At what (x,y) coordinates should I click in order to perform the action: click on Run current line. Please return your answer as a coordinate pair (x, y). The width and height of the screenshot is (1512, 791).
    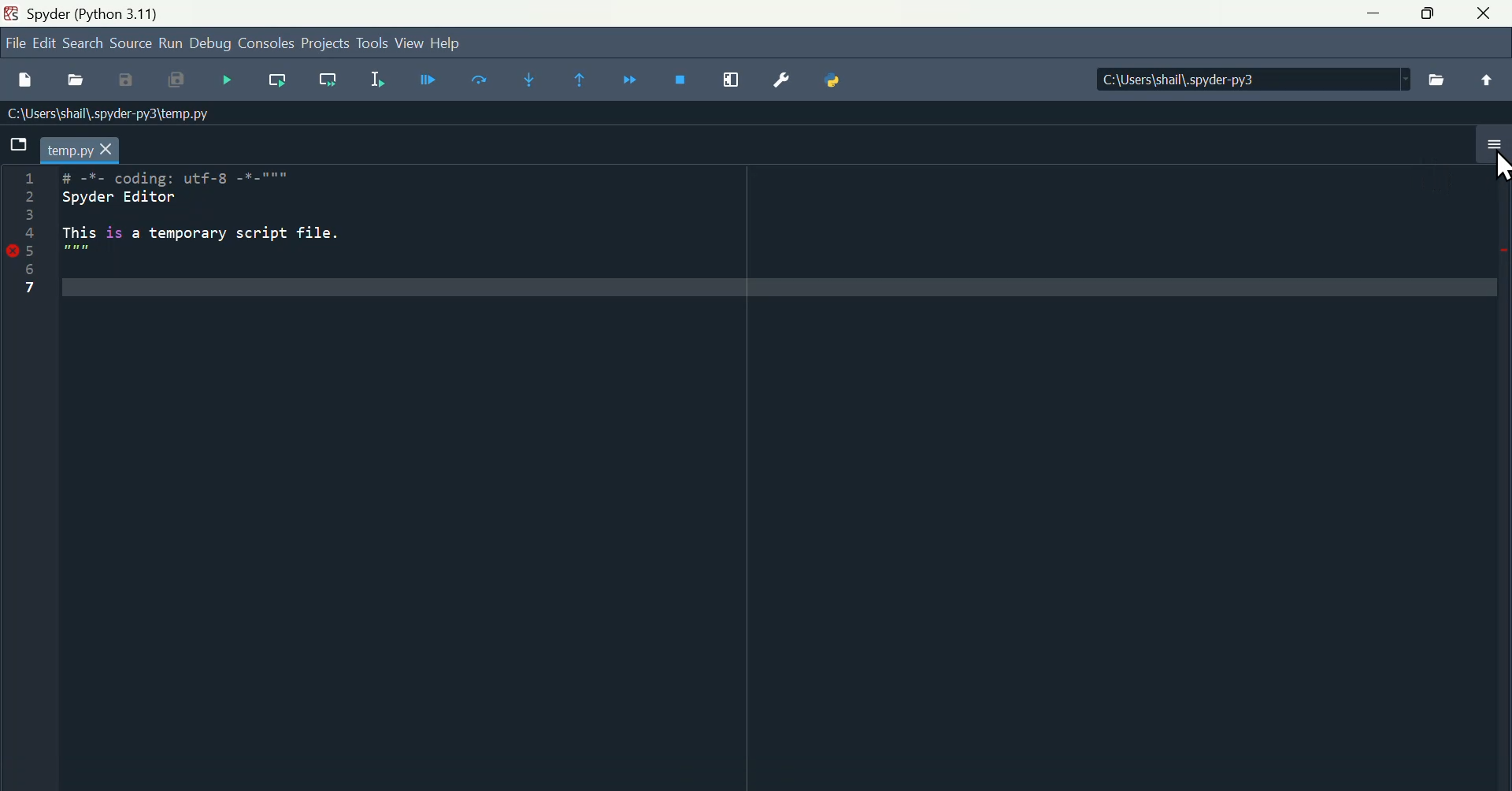
    Looking at the image, I should click on (278, 86).